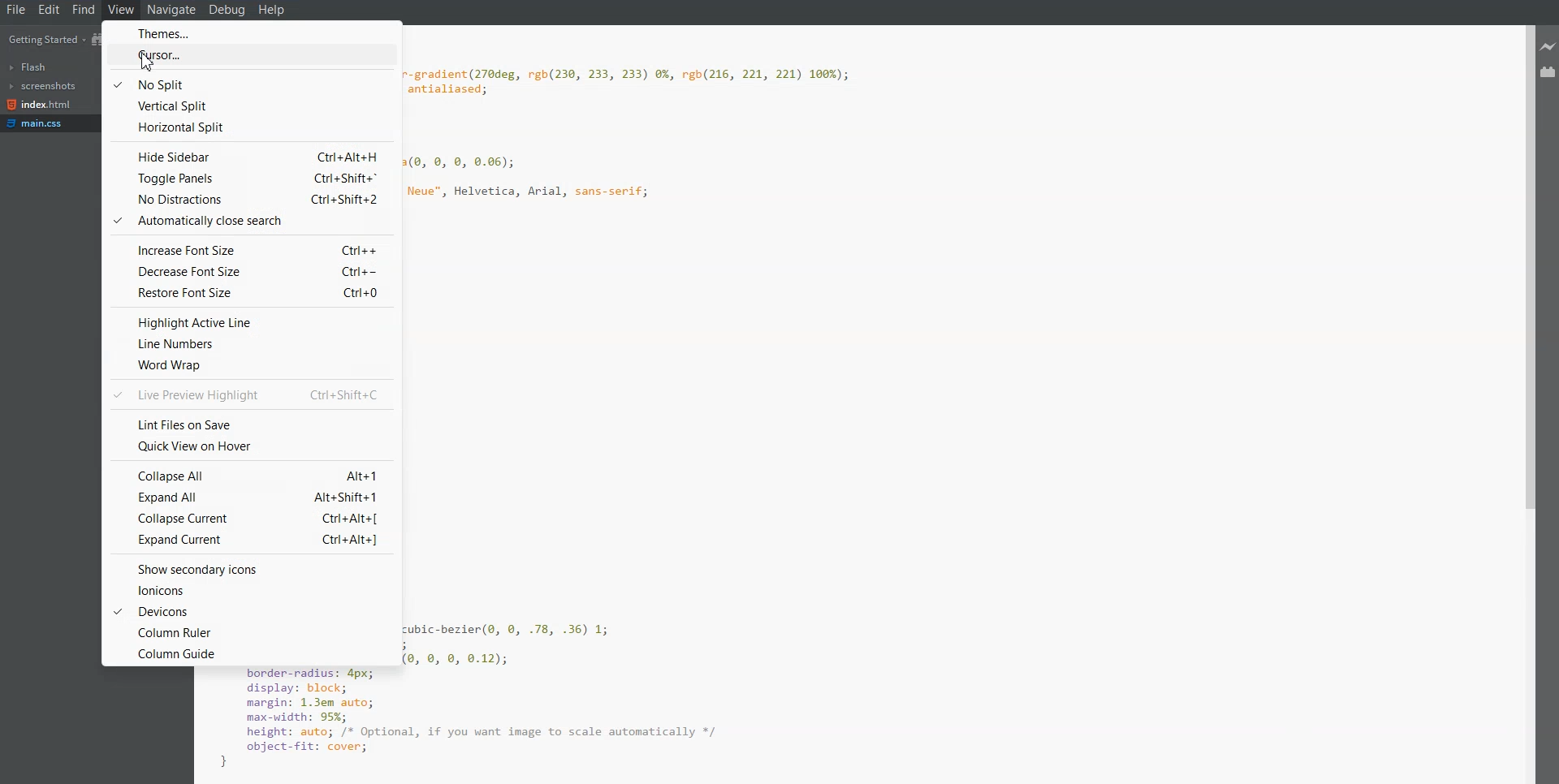 This screenshot has height=784, width=1559. I want to click on Find, so click(84, 10).